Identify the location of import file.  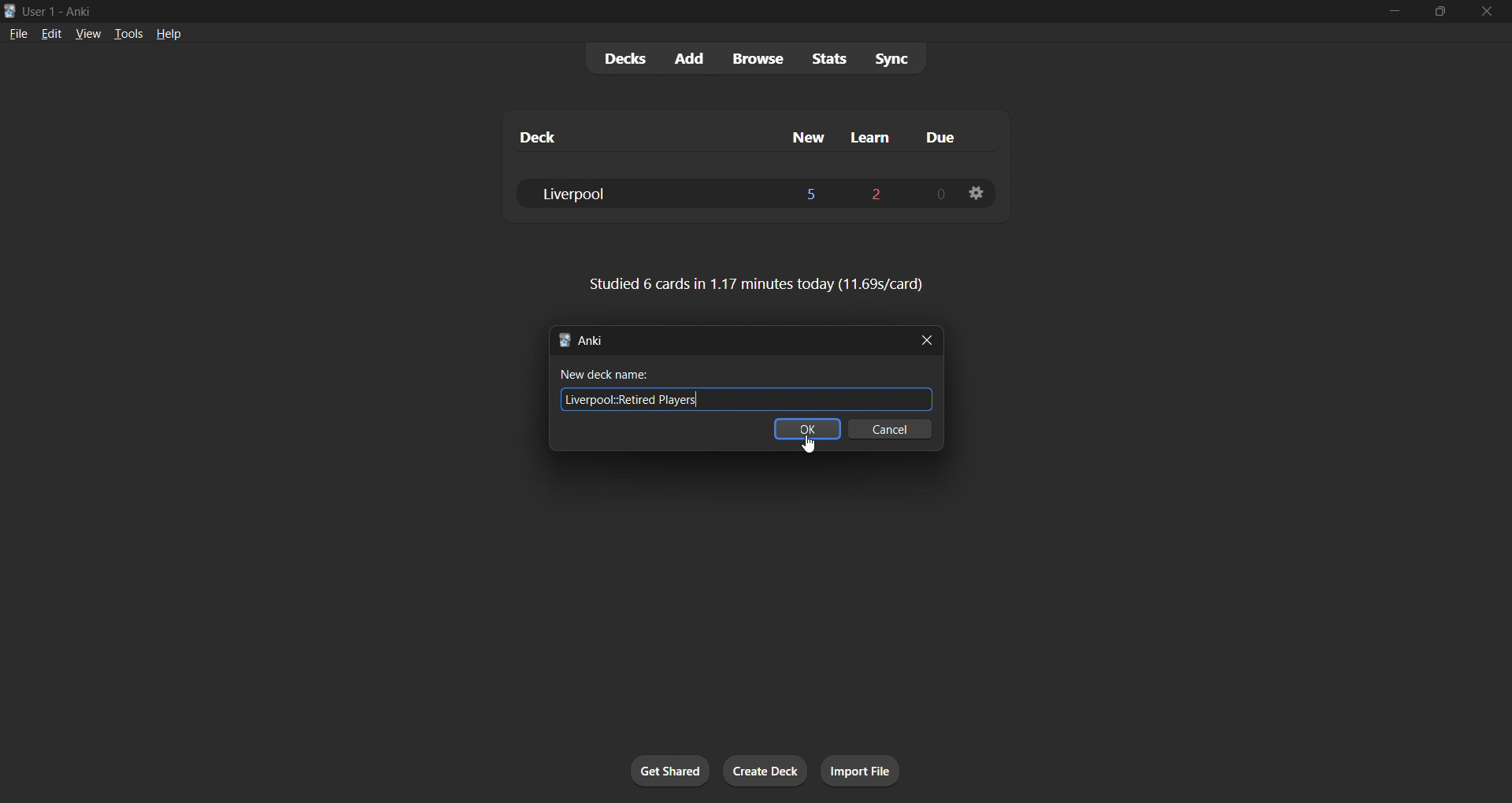
(860, 772).